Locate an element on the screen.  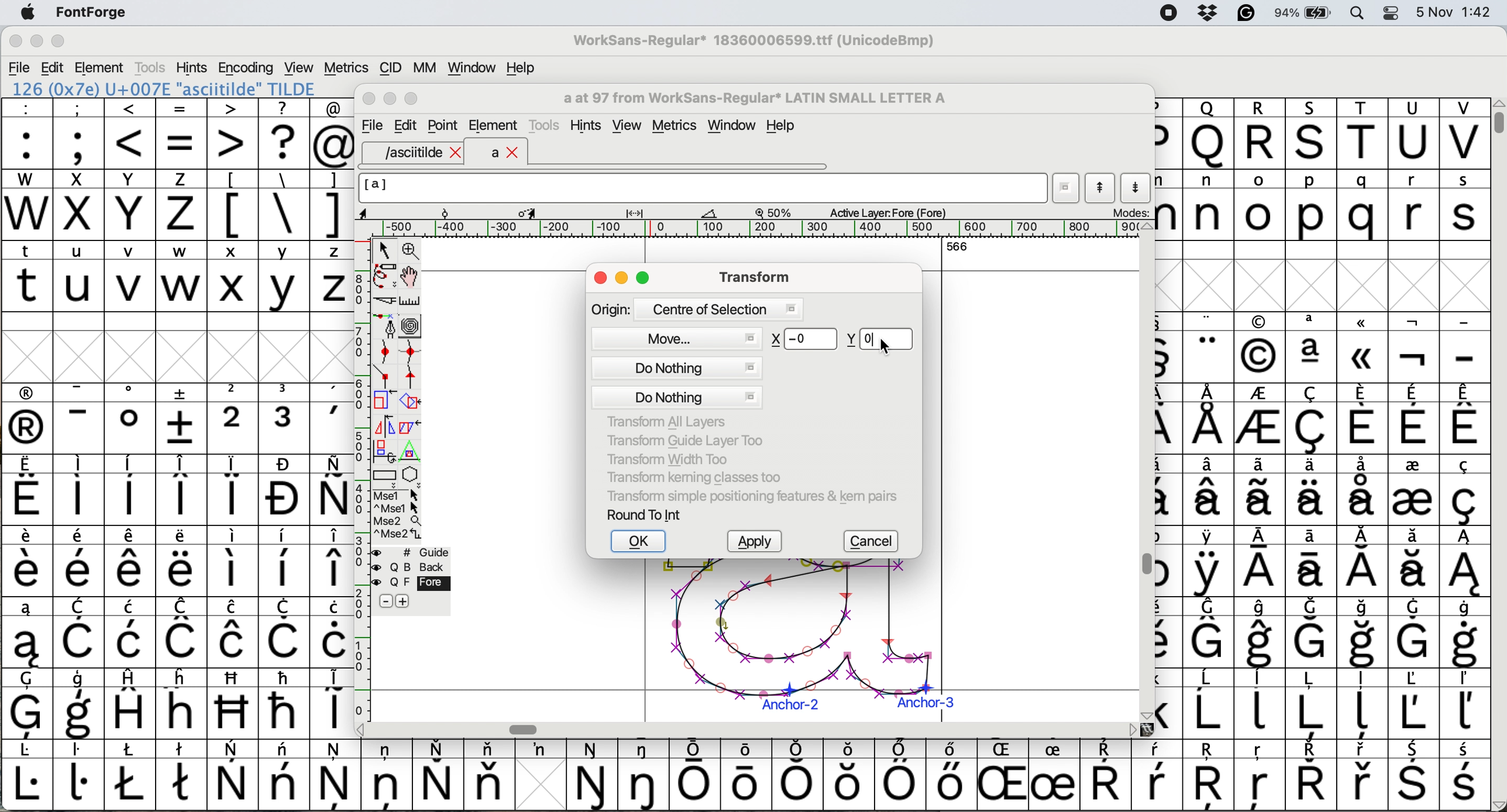
transform all layers is located at coordinates (670, 422).